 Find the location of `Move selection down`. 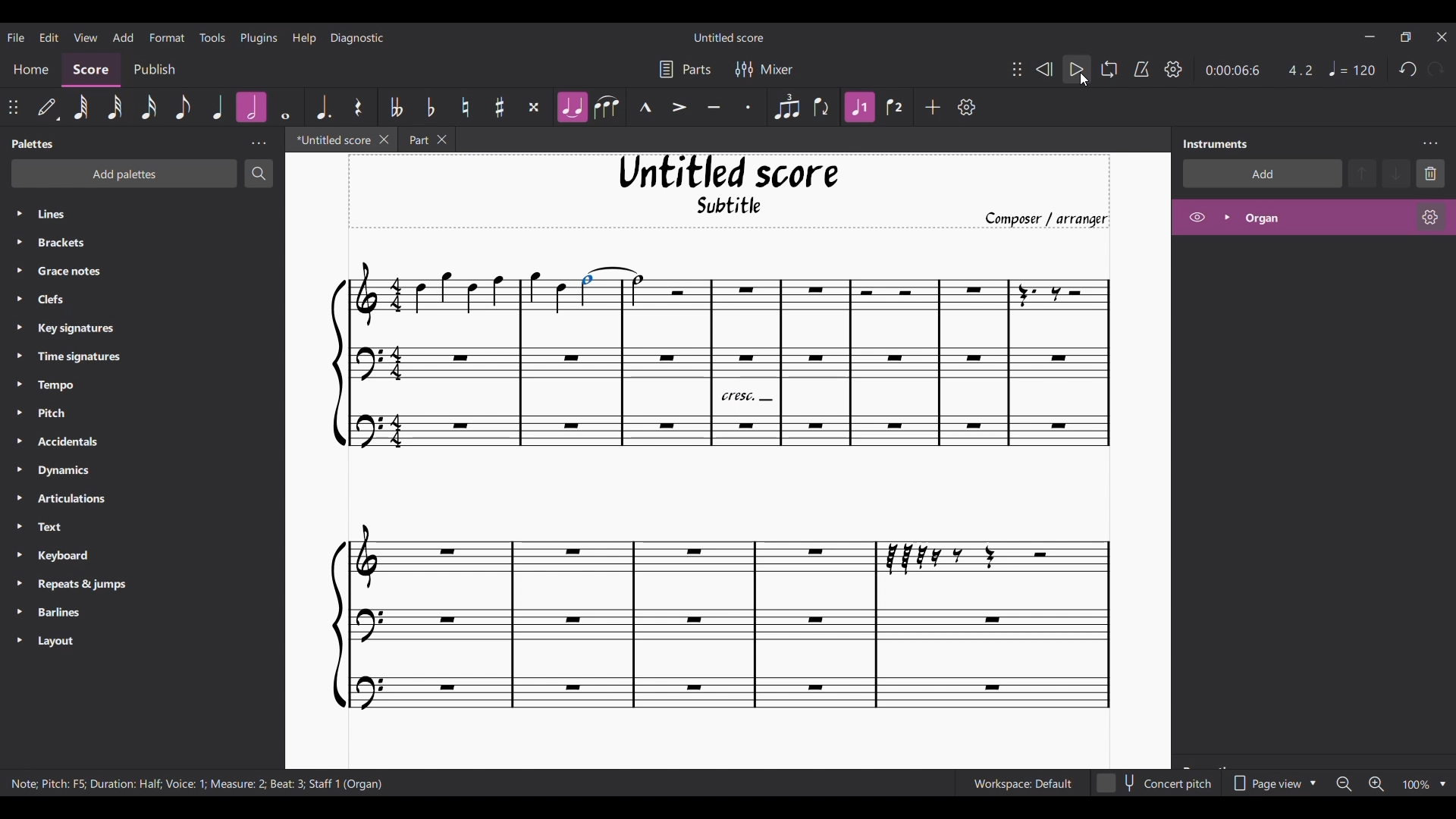

Move selection down is located at coordinates (1396, 173).